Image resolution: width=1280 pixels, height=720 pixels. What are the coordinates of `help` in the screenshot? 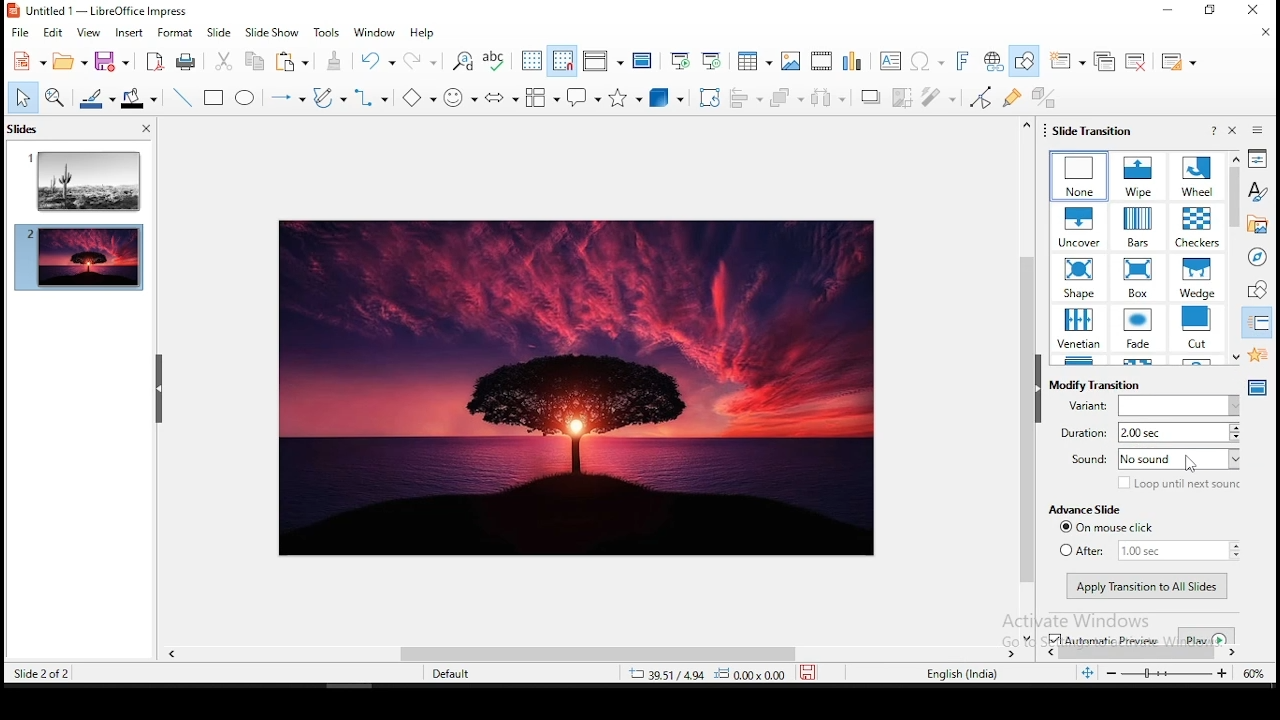 It's located at (423, 34).